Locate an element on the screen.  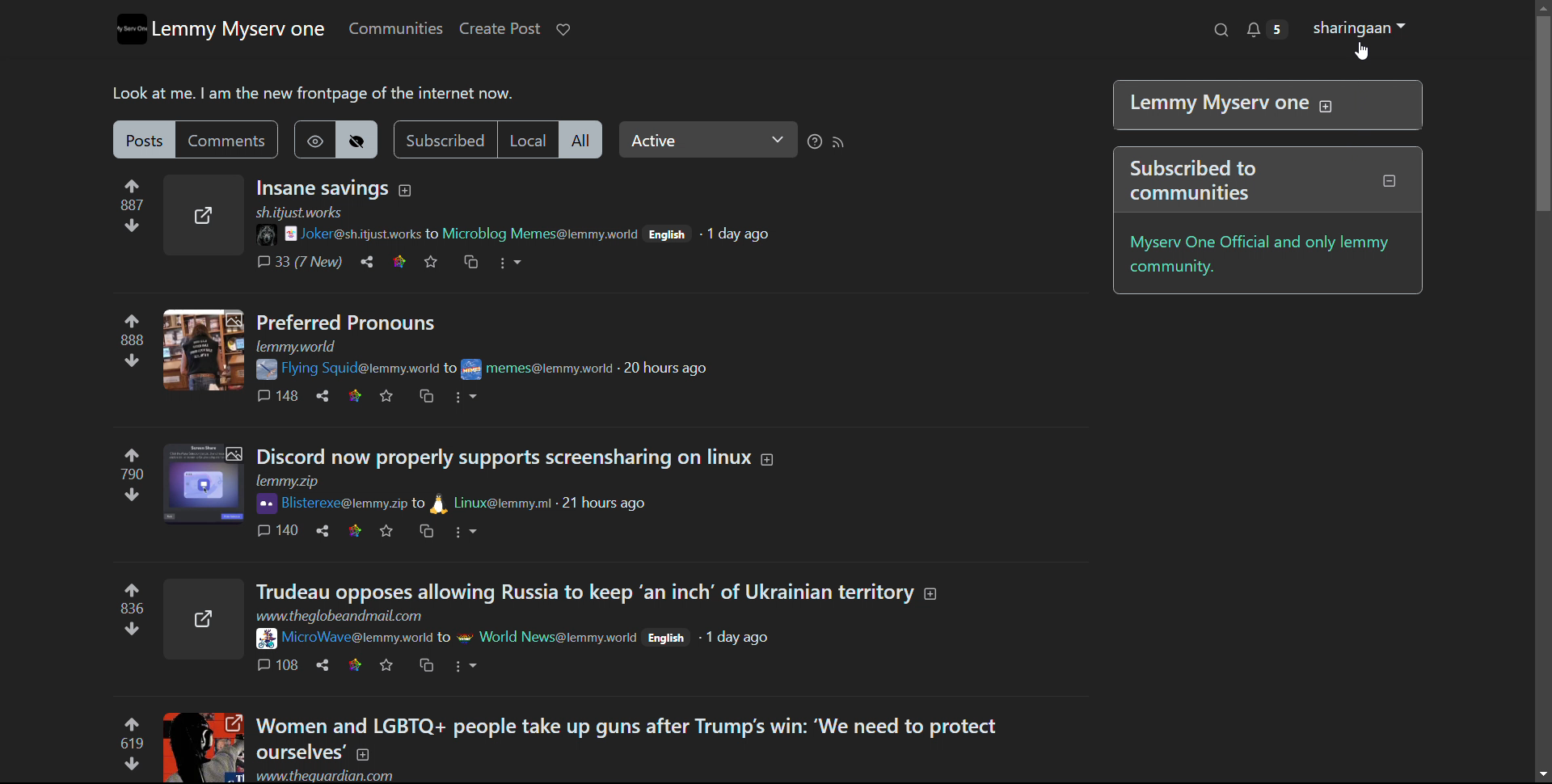
scroll up is located at coordinates (1542, 6).